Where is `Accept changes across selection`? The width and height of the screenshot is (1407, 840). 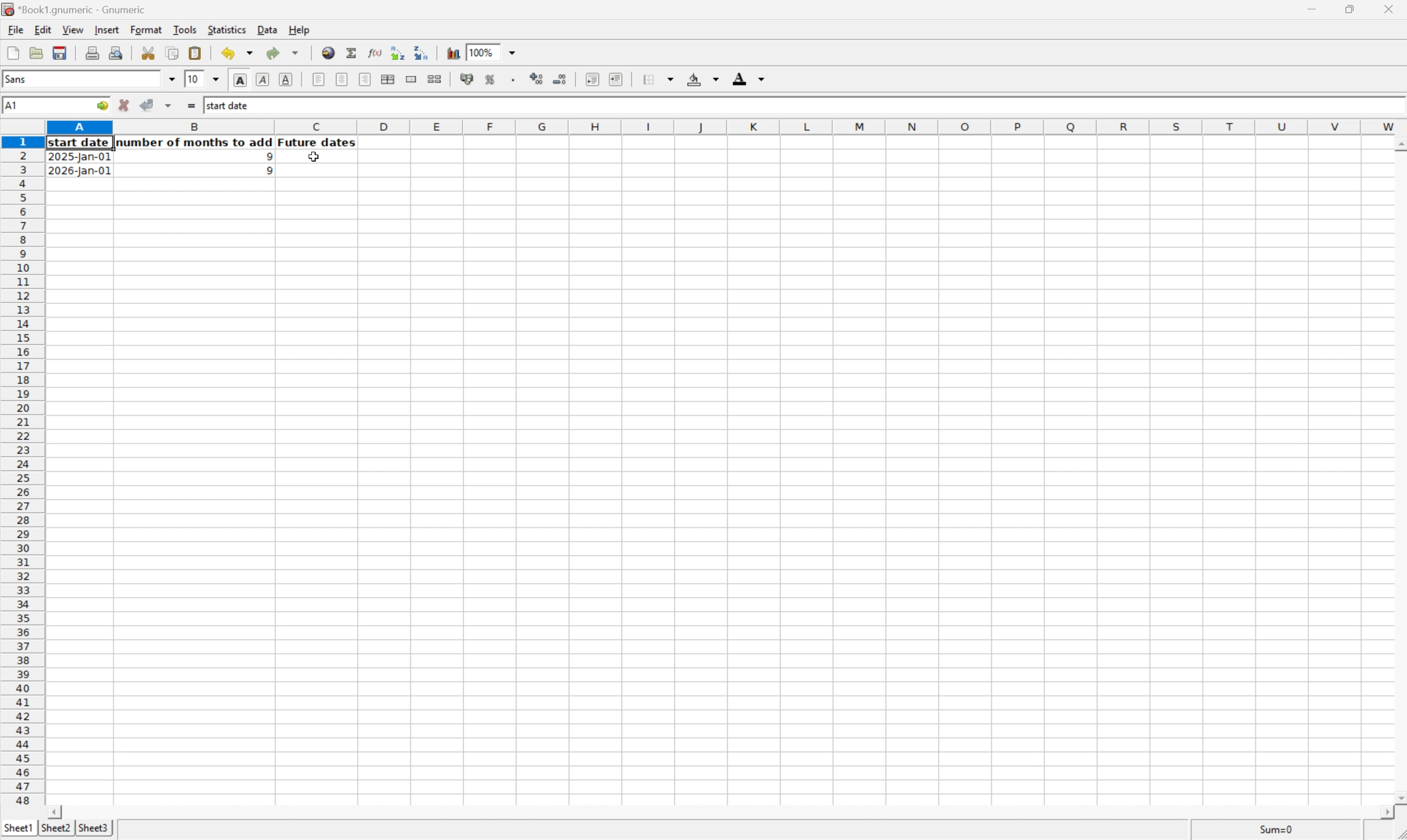 Accept changes across selection is located at coordinates (172, 104).